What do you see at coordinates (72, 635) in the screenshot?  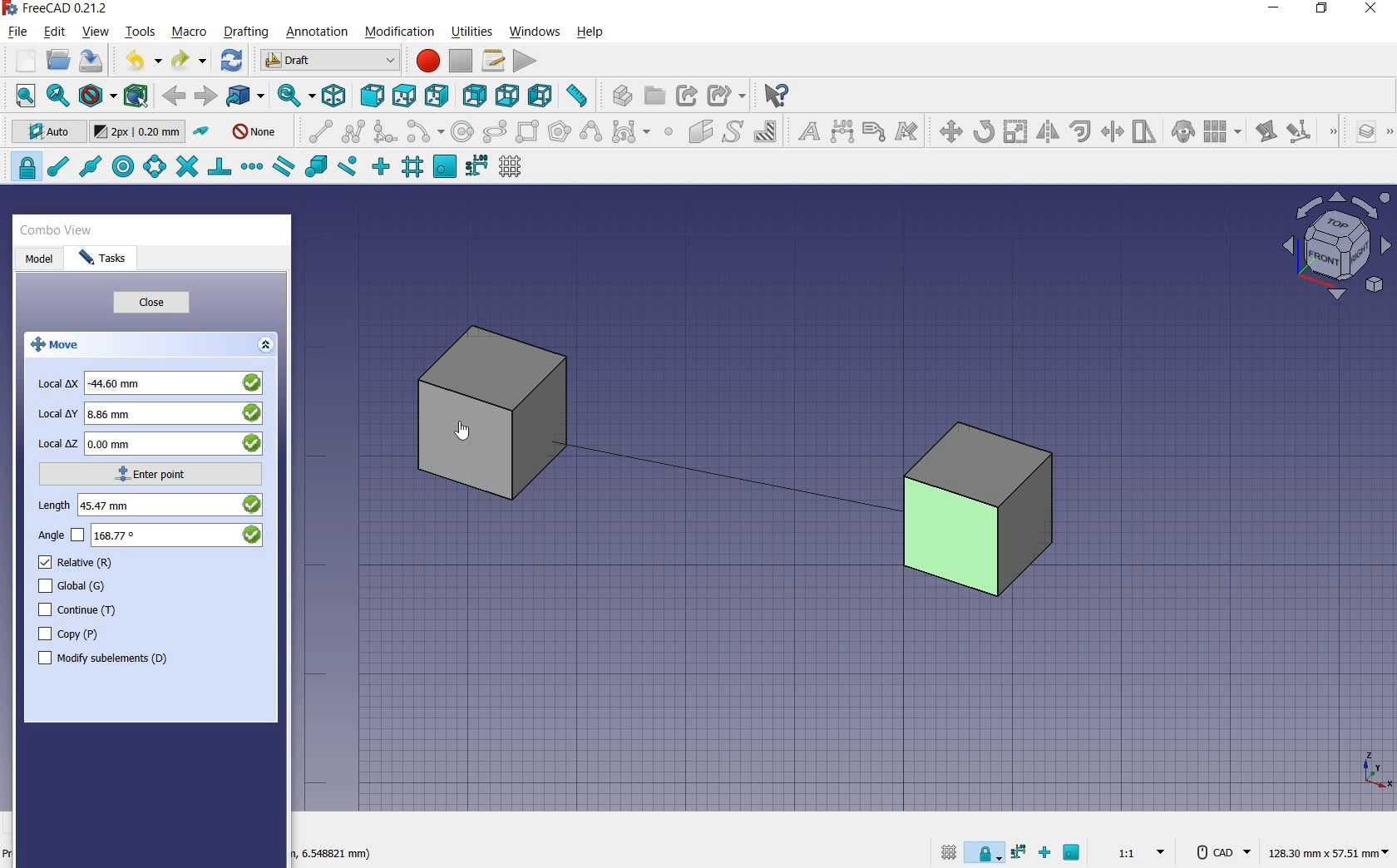 I see `copy` at bounding box center [72, 635].